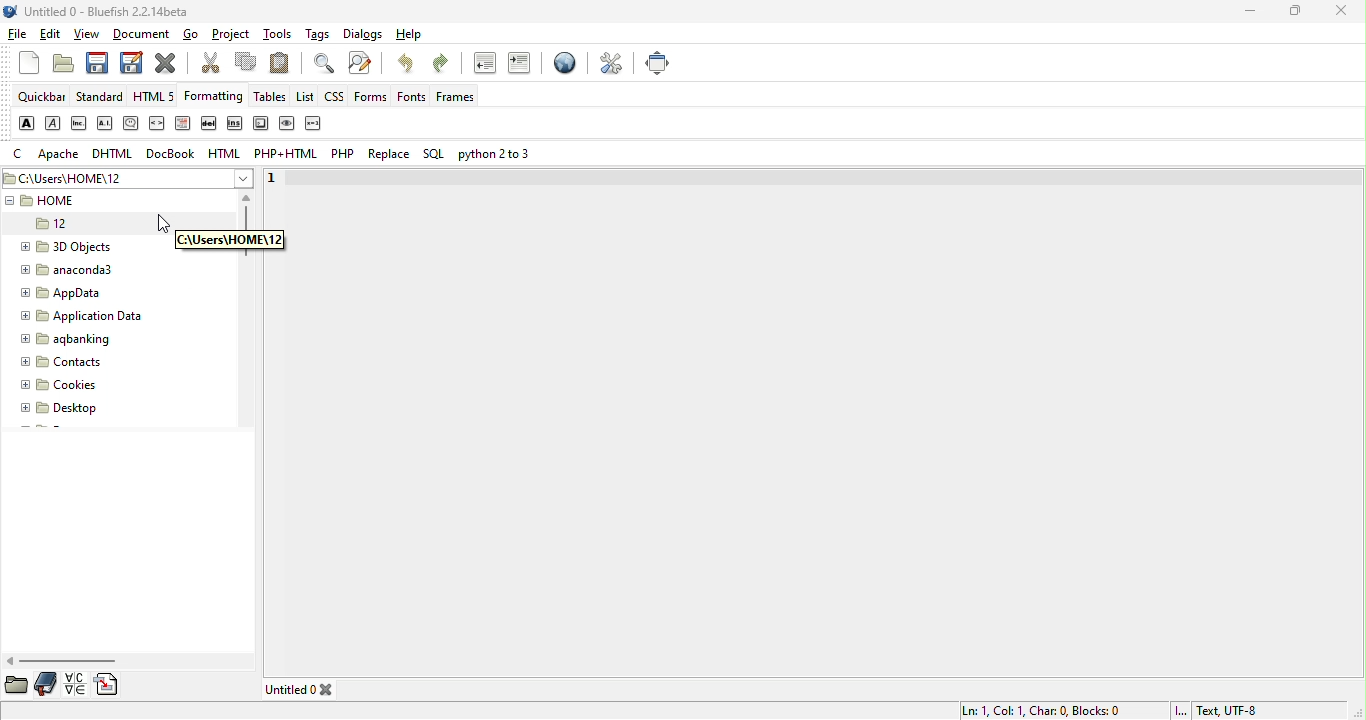 This screenshot has height=720, width=1366. Describe the element at coordinates (610, 65) in the screenshot. I see `preferences` at that location.